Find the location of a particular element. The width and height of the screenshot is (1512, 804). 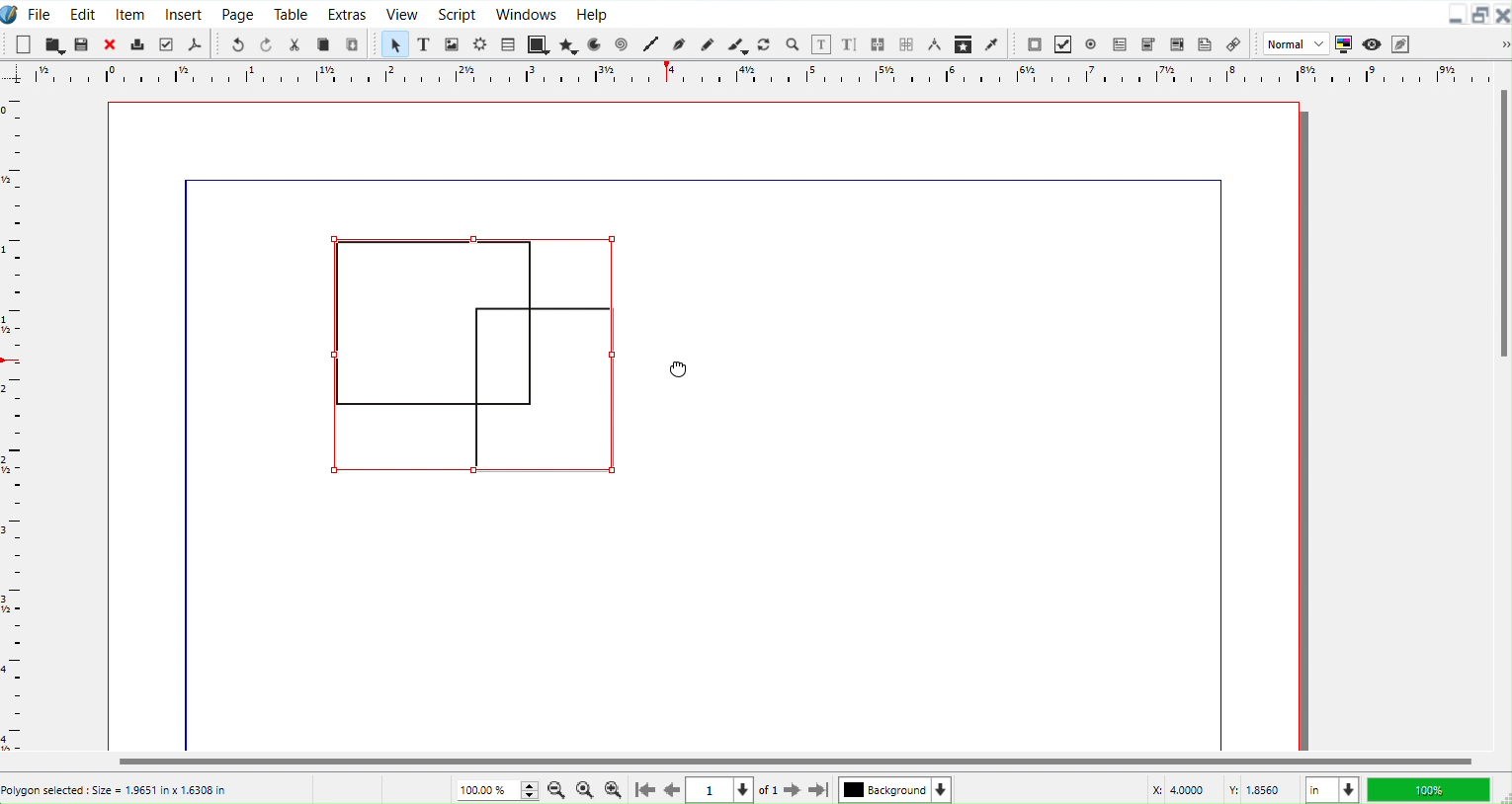

Edit contents of frame is located at coordinates (821, 44).